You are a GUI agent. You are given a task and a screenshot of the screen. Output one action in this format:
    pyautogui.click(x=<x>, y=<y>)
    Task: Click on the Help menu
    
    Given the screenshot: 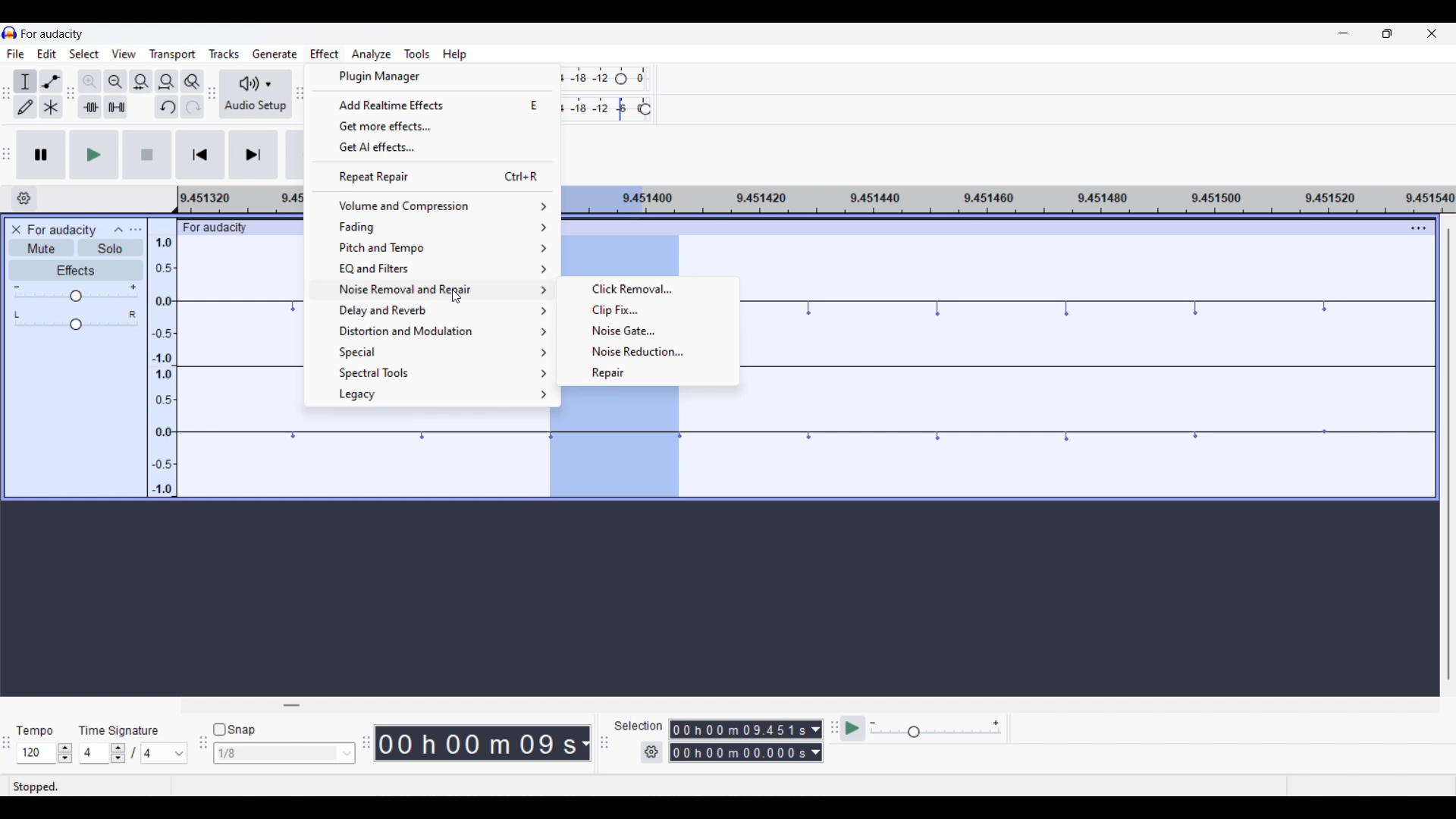 What is the action you would take?
    pyautogui.click(x=455, y=55)
    